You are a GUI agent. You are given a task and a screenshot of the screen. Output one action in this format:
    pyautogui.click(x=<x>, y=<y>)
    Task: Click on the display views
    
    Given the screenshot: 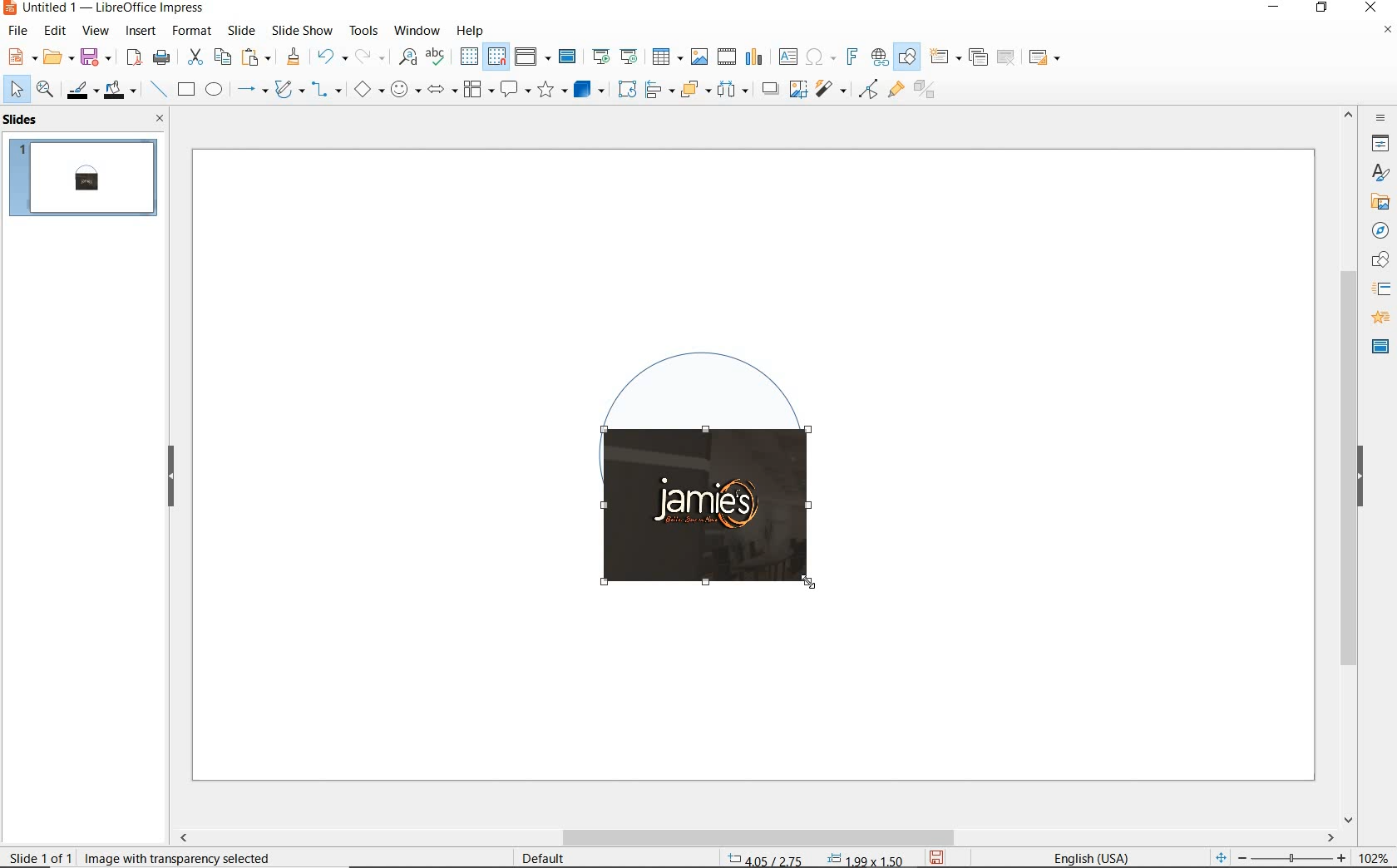 What is the action you would take?
    pyautogui.click(x=533, y=58)
    